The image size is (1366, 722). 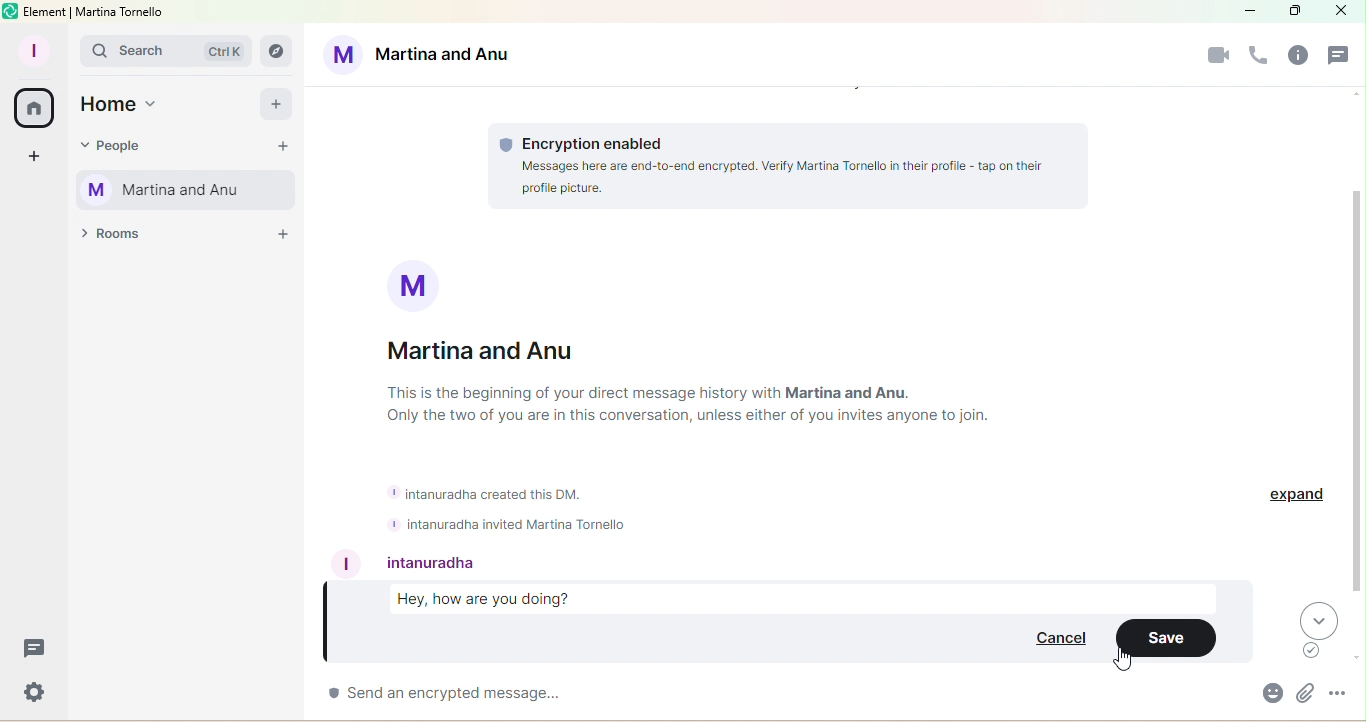 I want to click on Video call, so click(x=1217, y=58).